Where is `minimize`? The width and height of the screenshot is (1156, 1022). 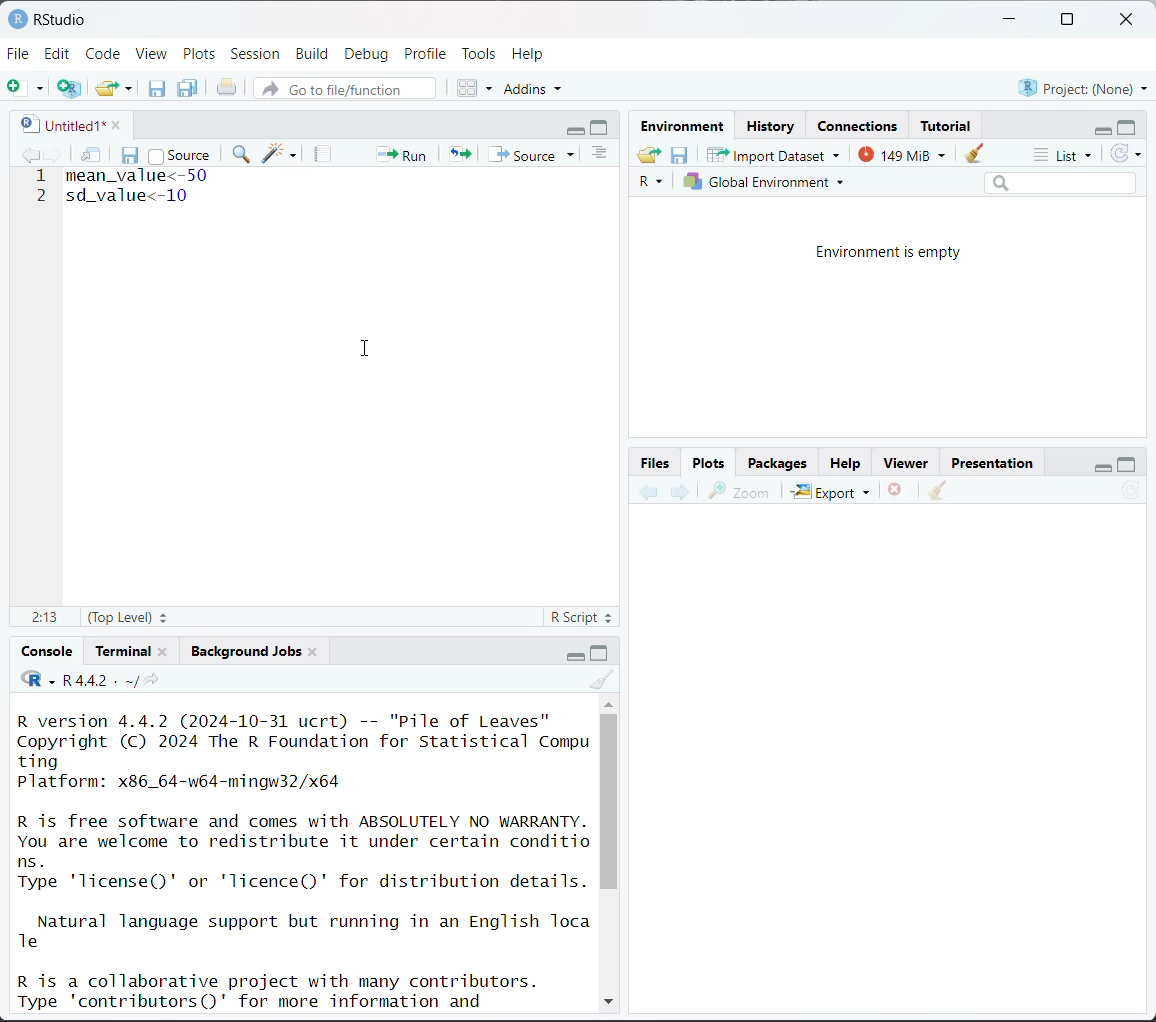
minimize is located at coordinates (1011, 20).